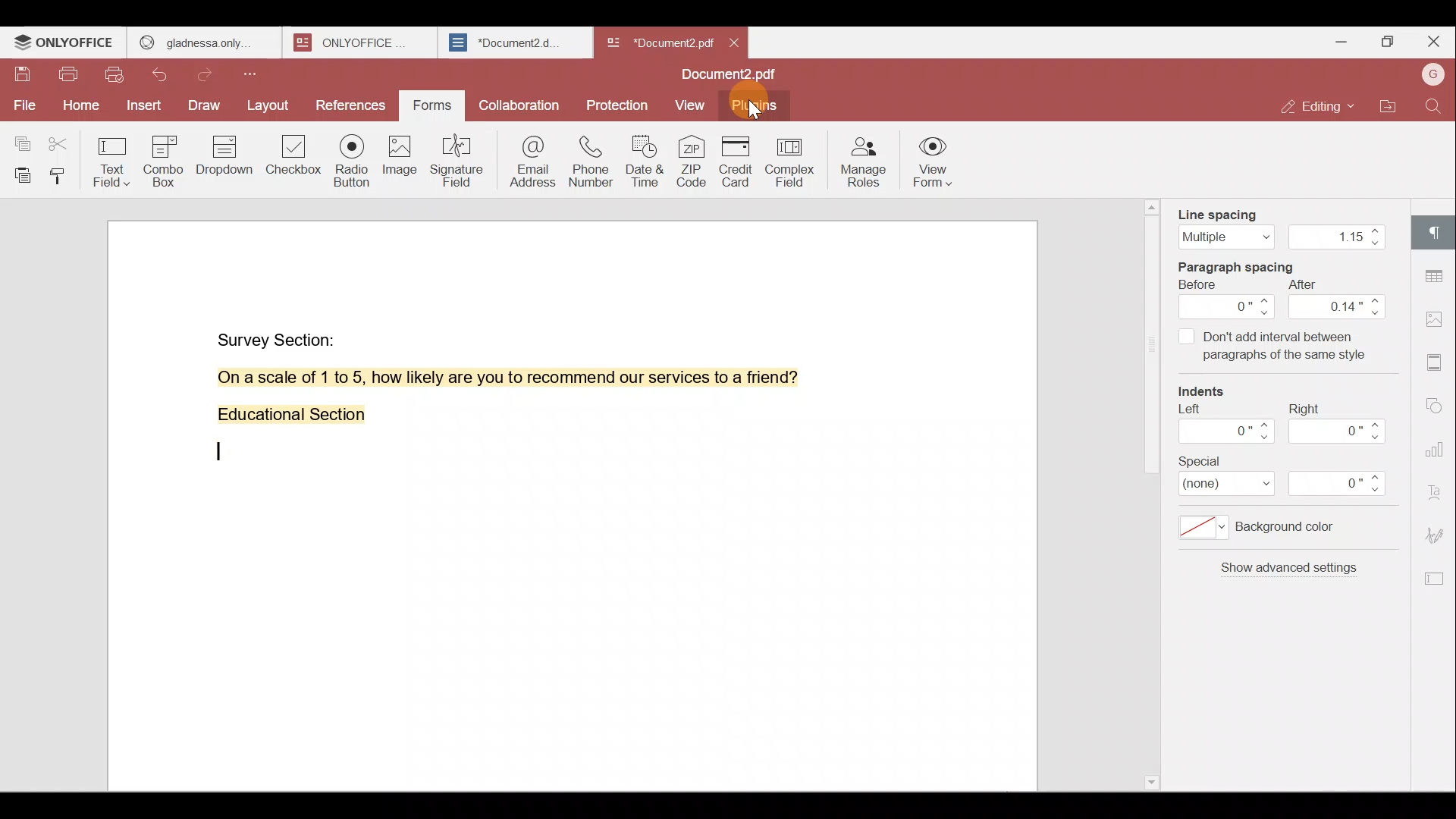 The height and width of the screenshot is (819, 1456). I want to click on Paragraph settings, so click(1437, 231).